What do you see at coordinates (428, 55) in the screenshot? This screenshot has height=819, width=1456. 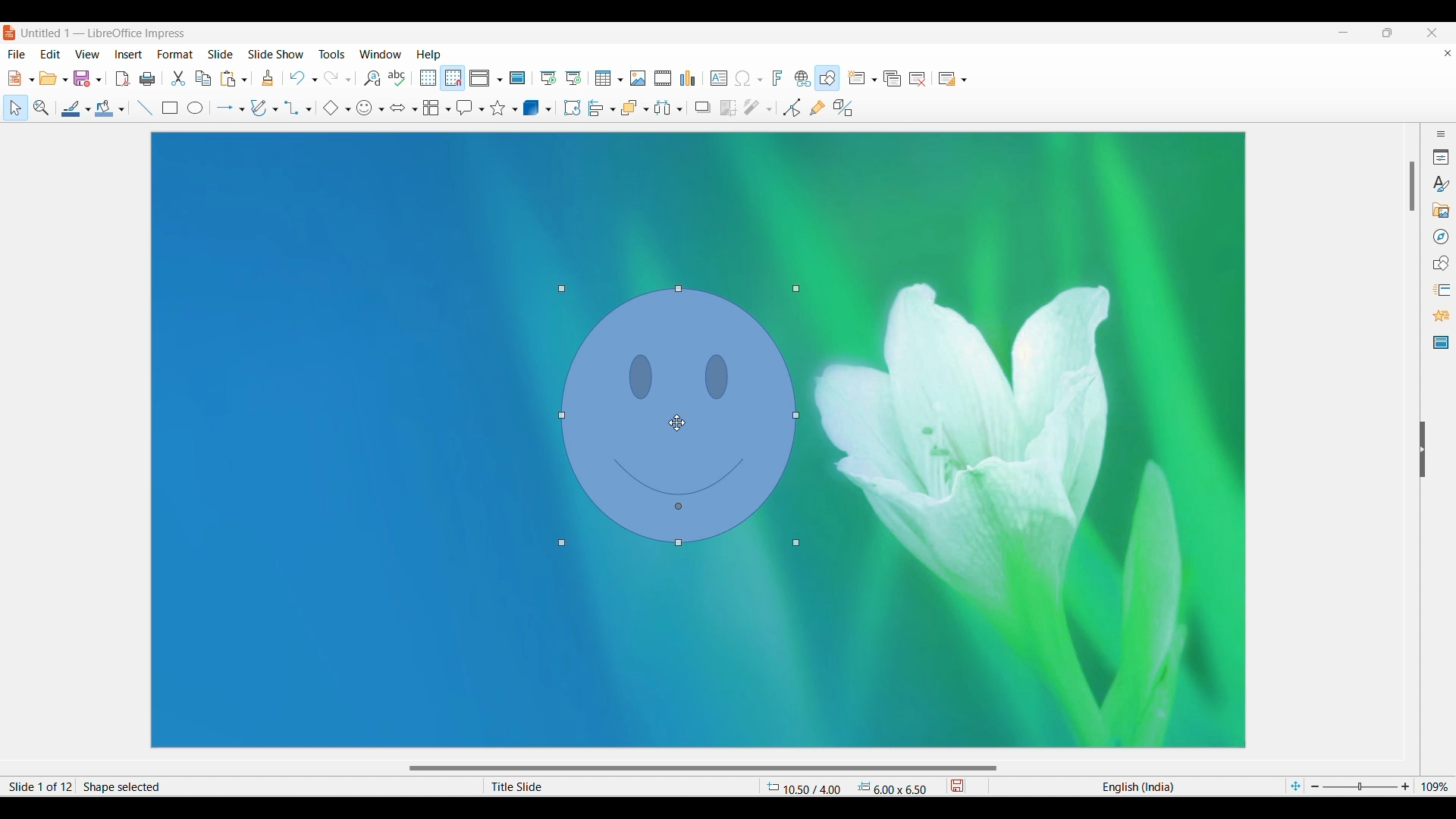 I see `Help` at bounding box center [428, 55].